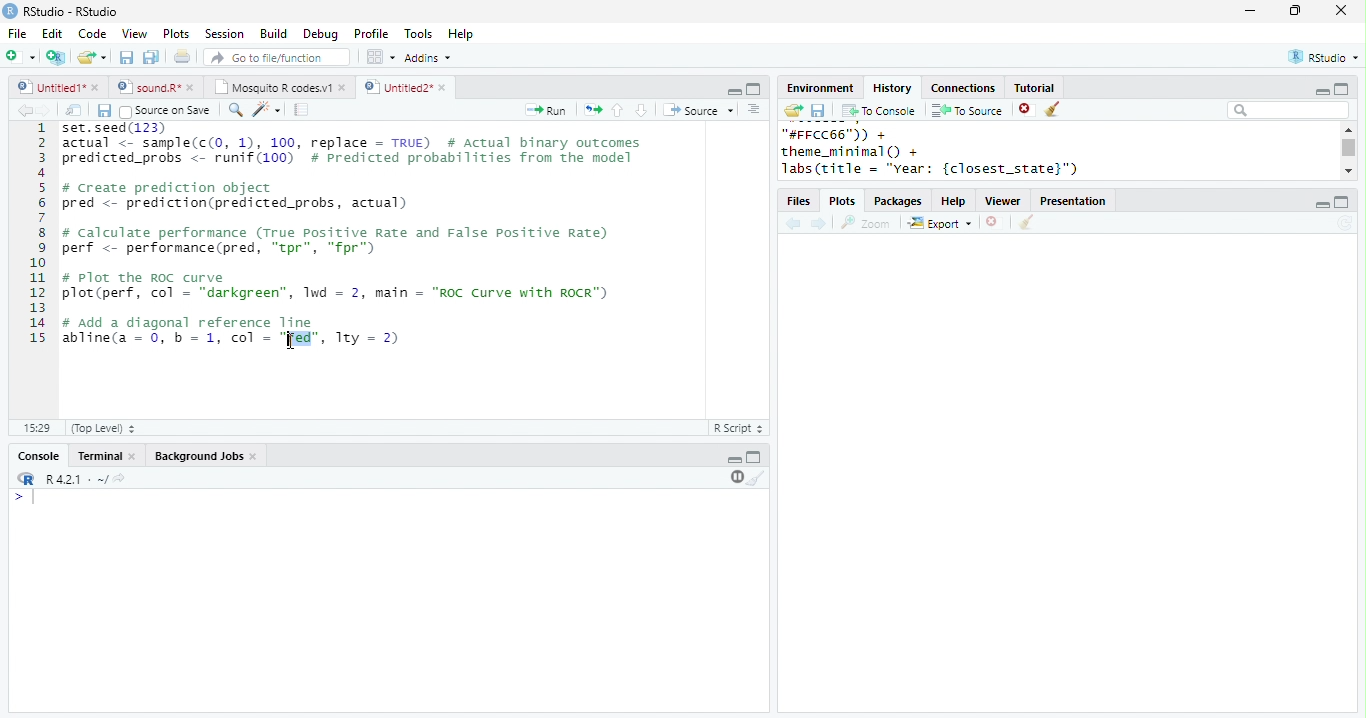 The image size is (1366, 718). What do you see at coordinates (640, 110) in the screenshot?
I see `down` at bounding box center [640, 110].